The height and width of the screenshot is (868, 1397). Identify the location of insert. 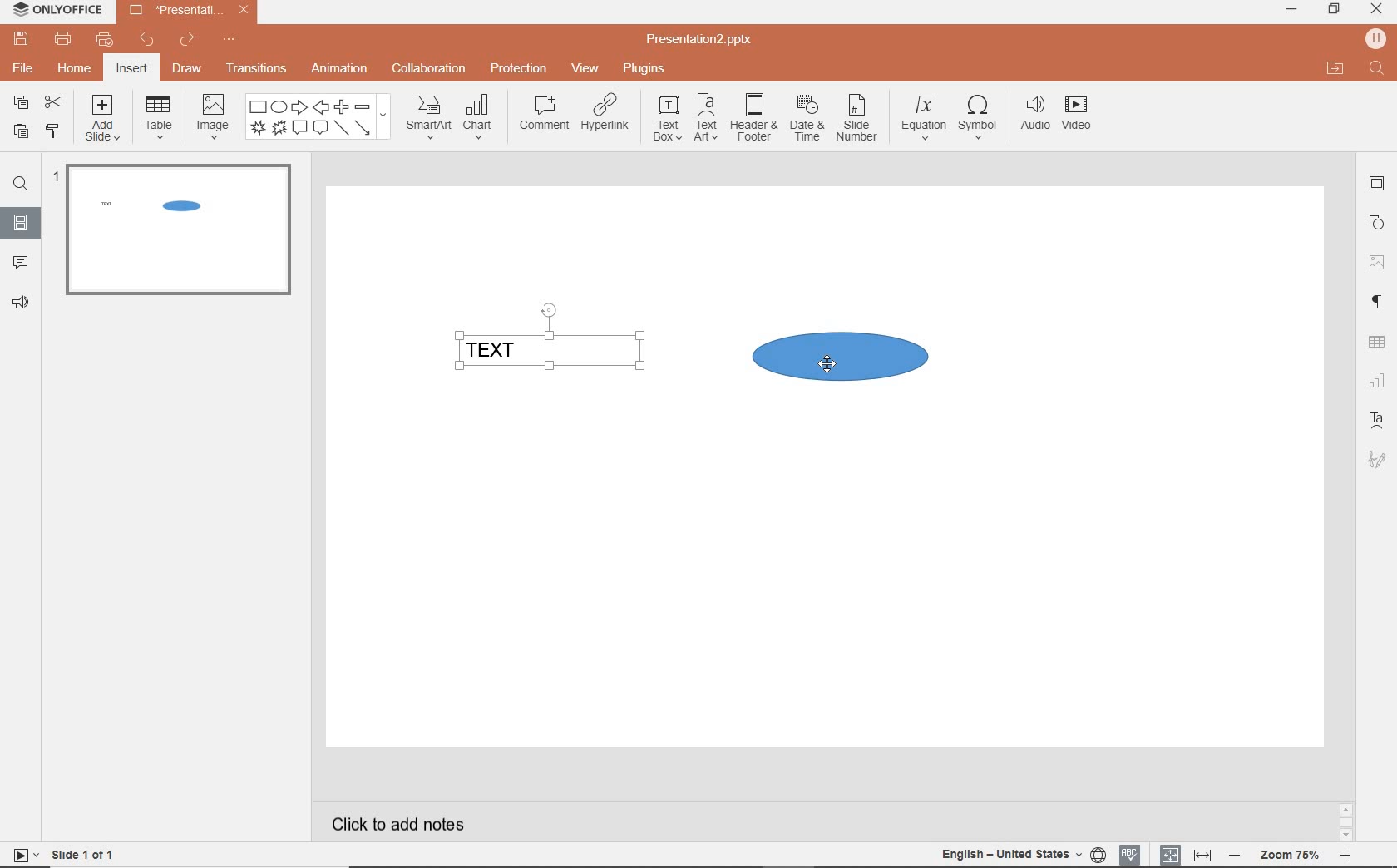
(133, 69).